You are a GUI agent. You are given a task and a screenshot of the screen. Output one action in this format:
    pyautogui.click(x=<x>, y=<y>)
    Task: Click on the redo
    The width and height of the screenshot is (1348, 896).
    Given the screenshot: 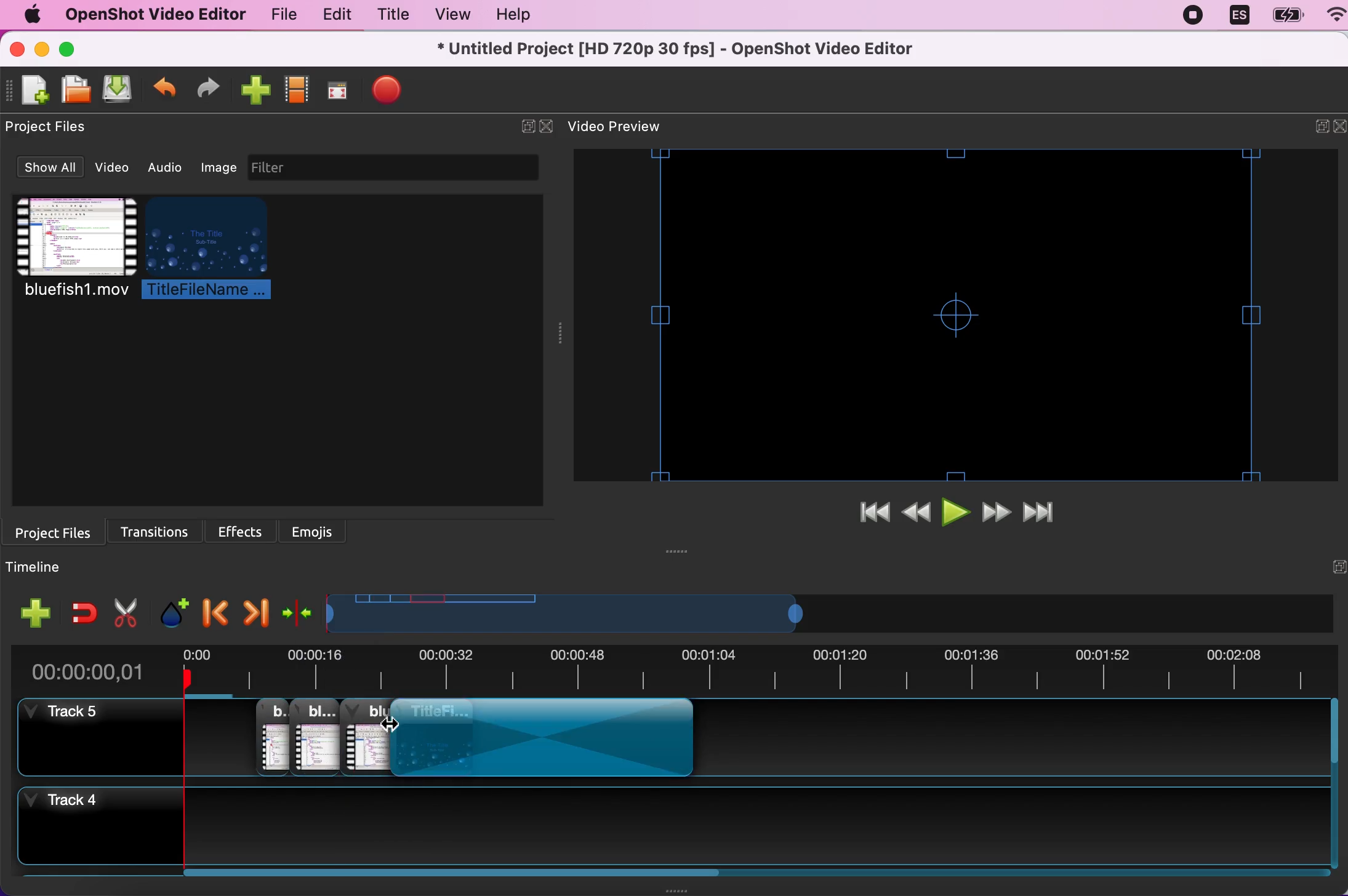 What is the action you would take?
    pyautogui.click(x=208, y=90)
    